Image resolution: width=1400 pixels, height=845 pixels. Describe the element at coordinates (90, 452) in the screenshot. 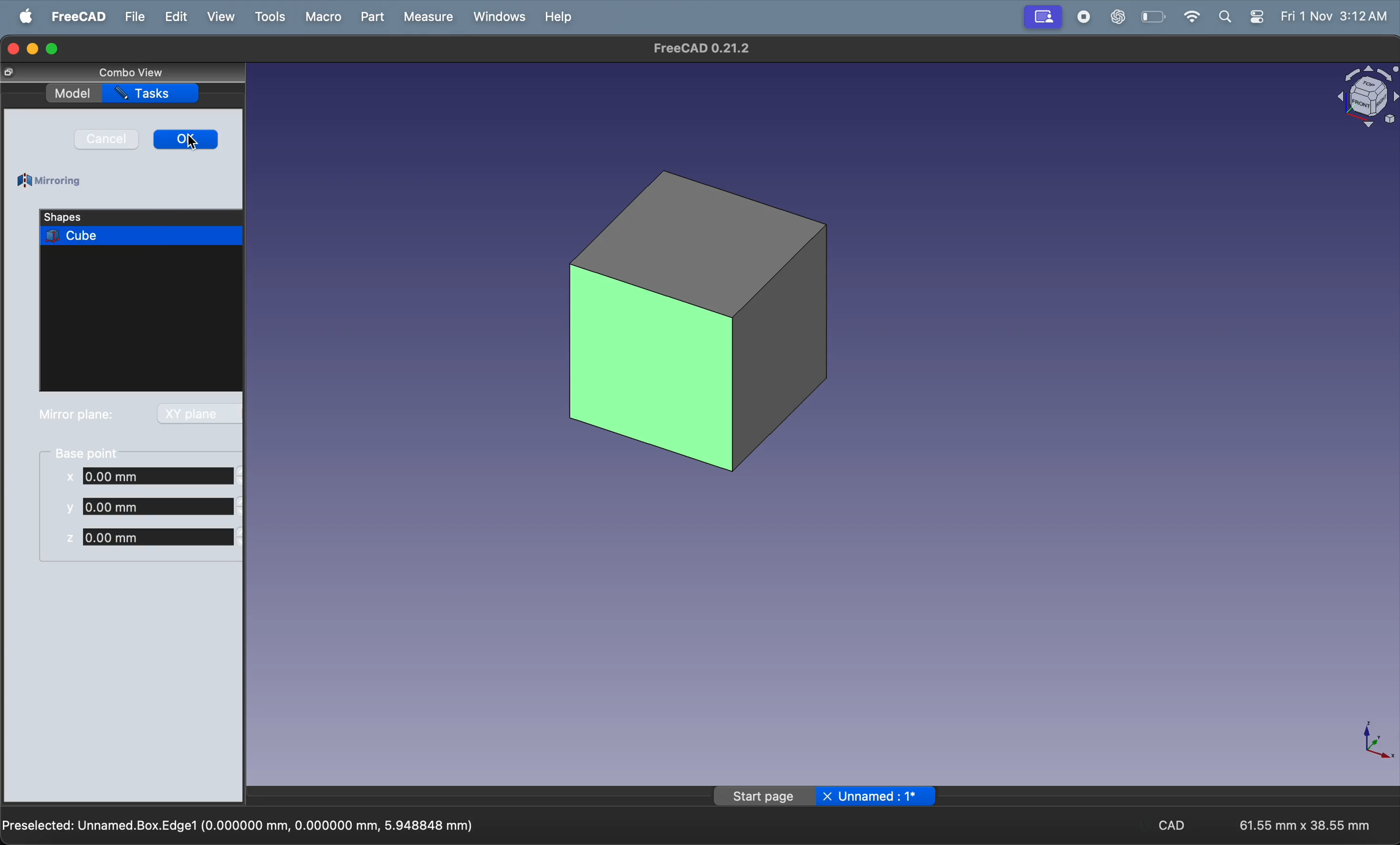

I see `base point` at that location.